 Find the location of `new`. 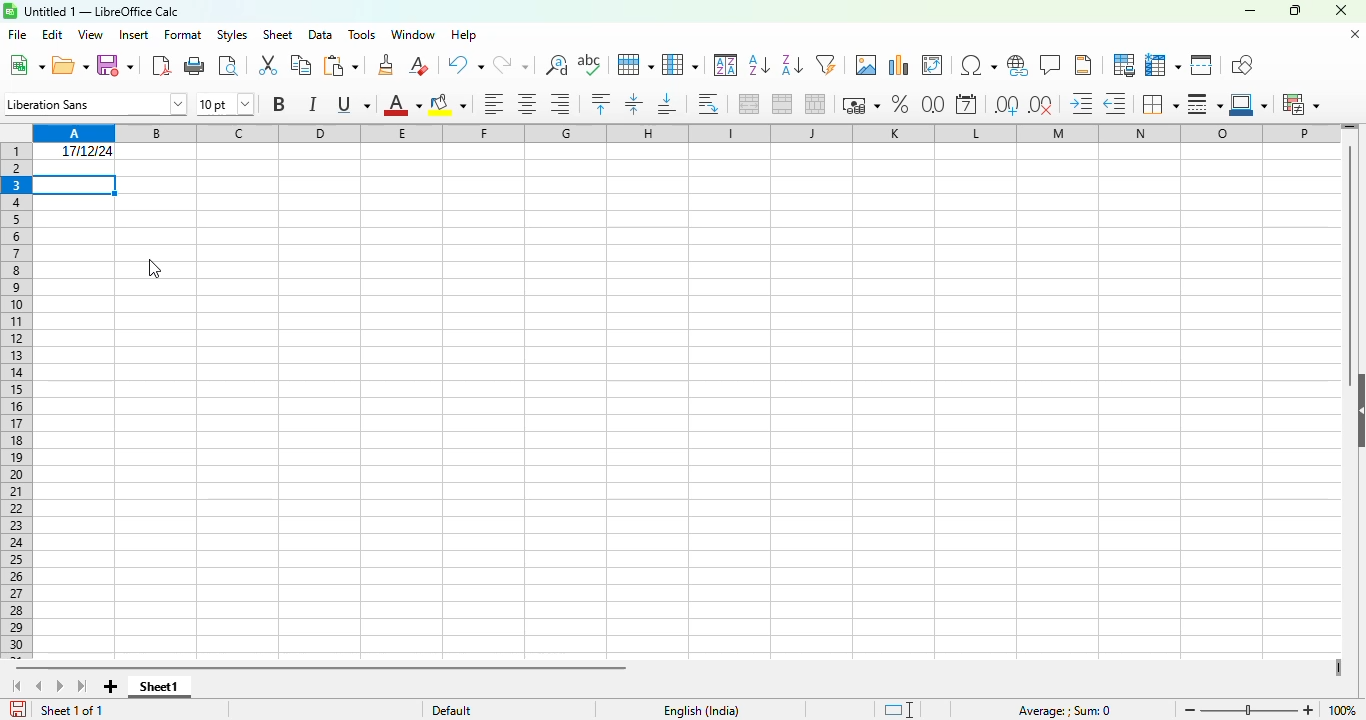

new is located at coordinates (26, 65).